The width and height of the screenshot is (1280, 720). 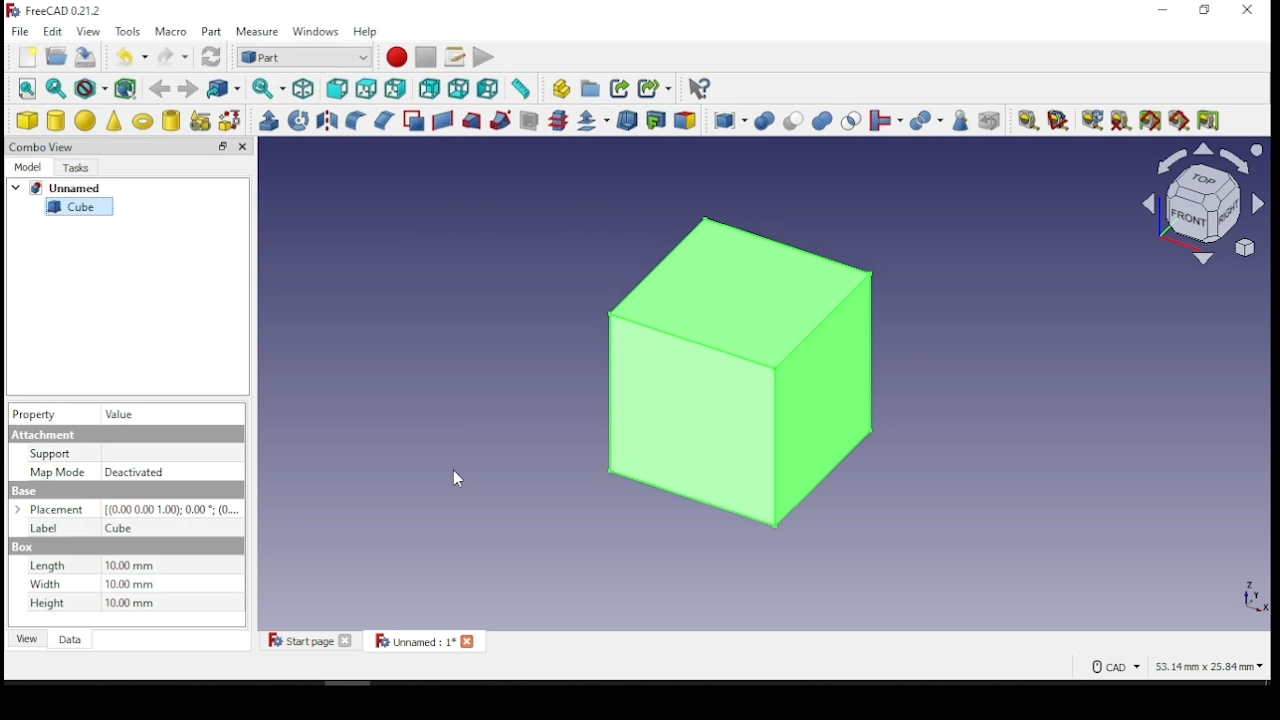 What do you see at coordinates (559, 89) in the screenshot?
I see `create part` at bounding box center [559, 89].